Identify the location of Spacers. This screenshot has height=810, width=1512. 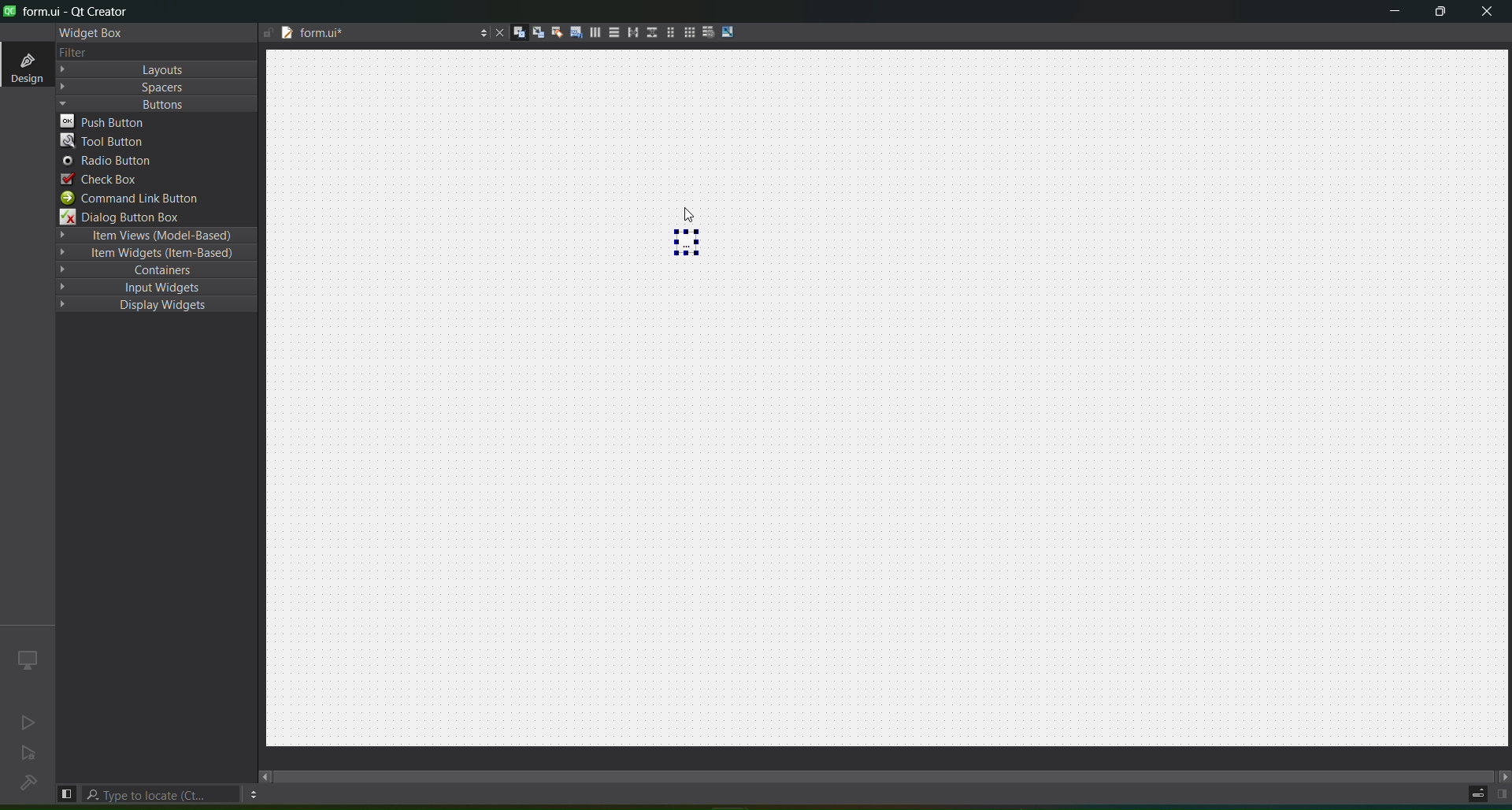
(158, 87).